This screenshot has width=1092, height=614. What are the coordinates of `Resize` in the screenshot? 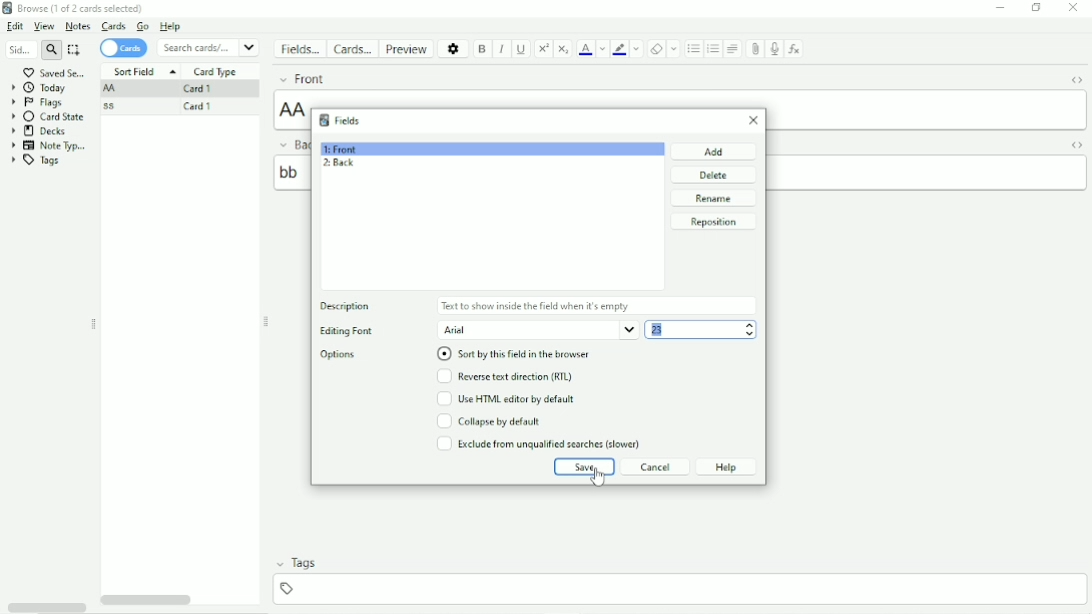 It's located at (93, 324).